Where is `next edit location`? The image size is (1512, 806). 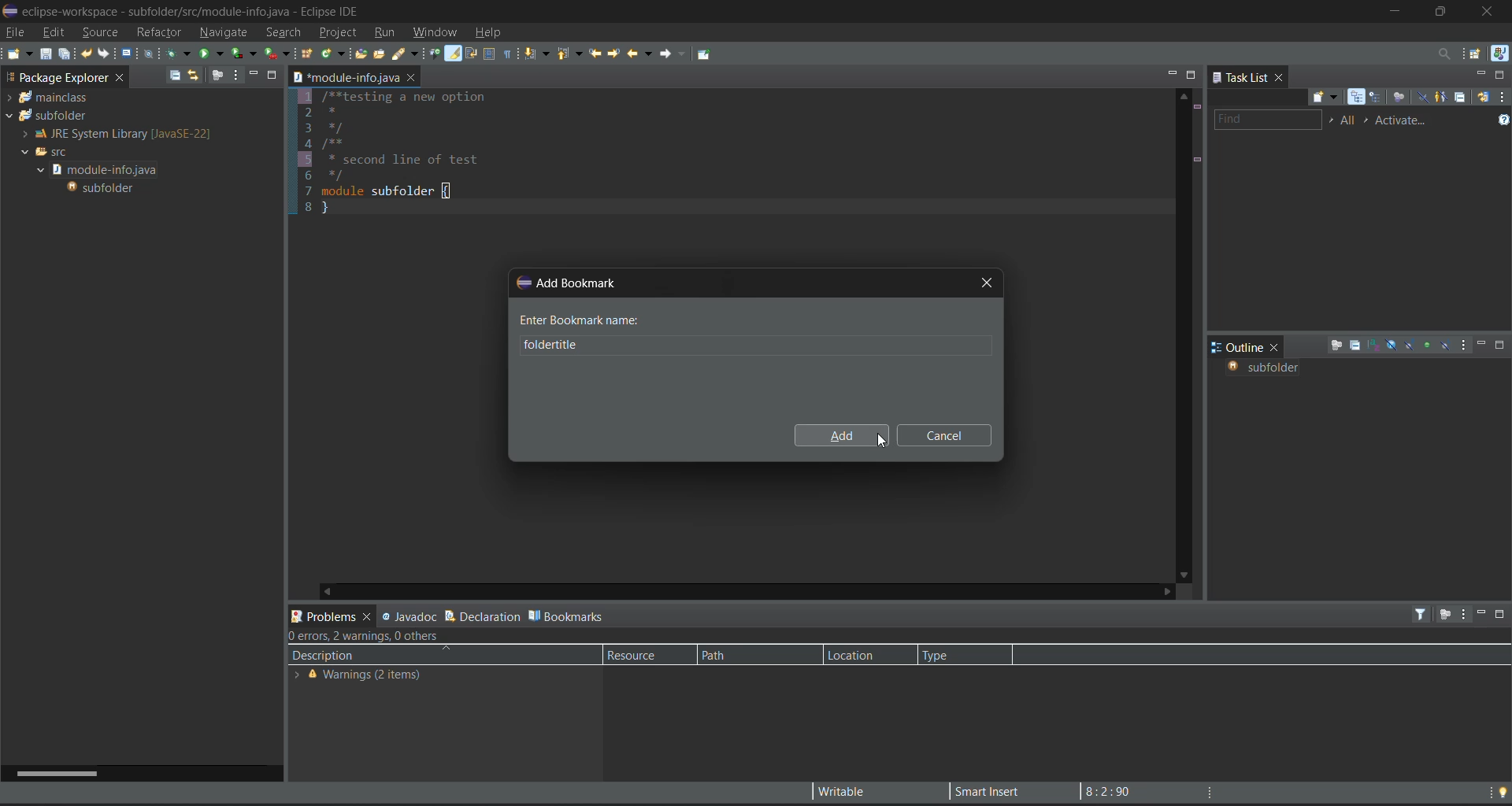 next edit location is located at coordinates (613, 52).